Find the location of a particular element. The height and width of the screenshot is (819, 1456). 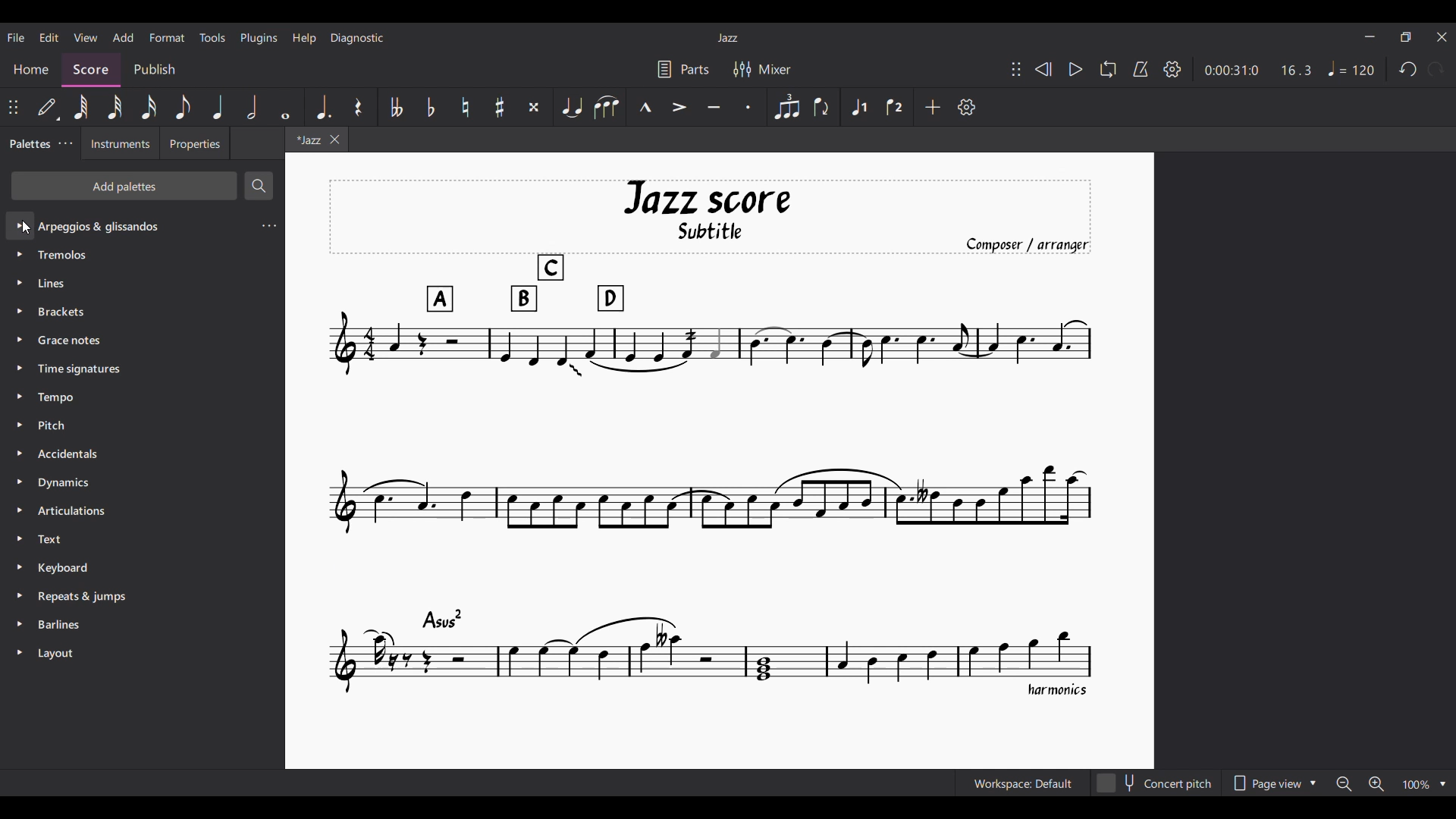

Redo is located at coordinates (1436, 69).